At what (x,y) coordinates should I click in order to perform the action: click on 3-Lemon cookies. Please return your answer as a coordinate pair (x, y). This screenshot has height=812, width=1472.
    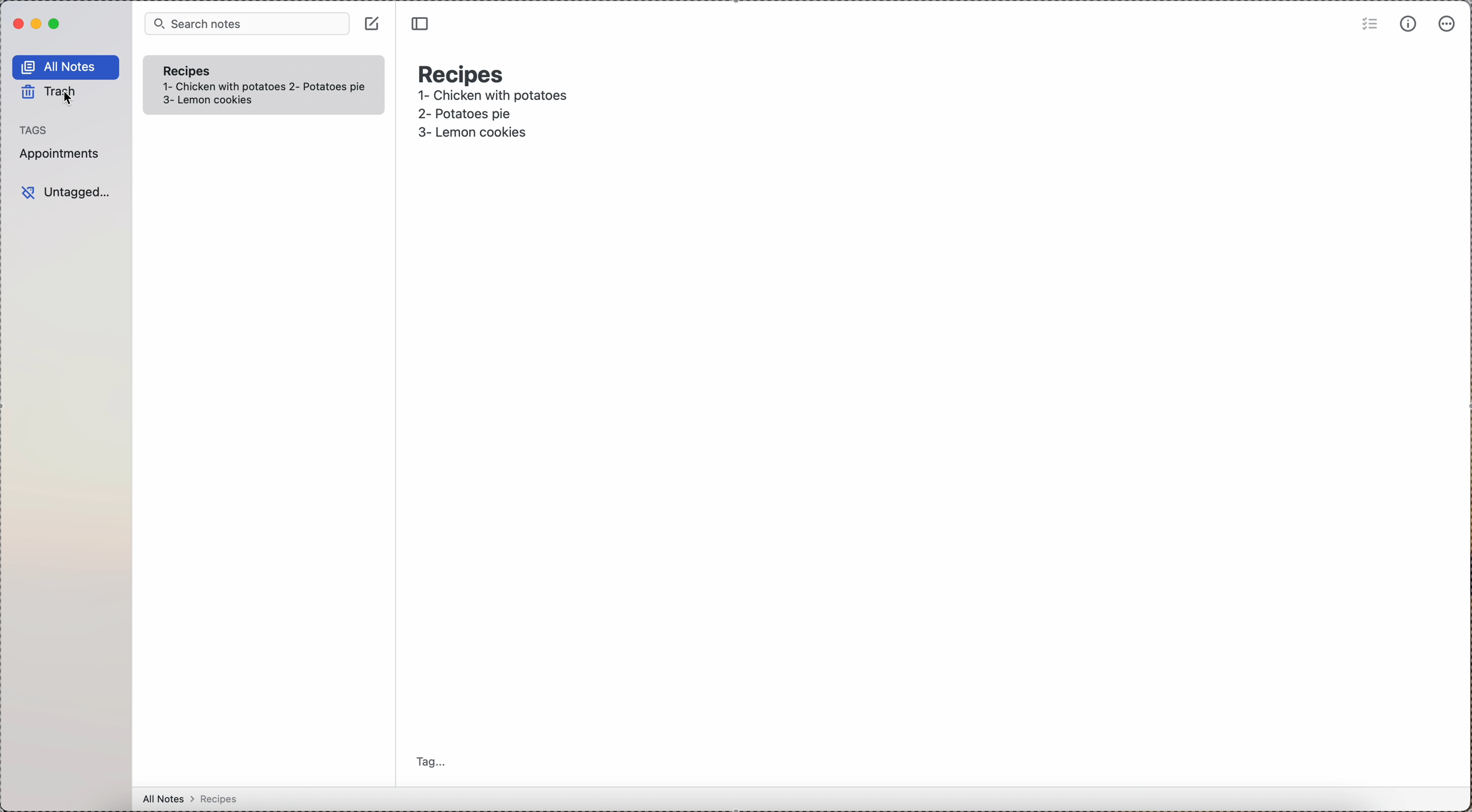
    Looking at the image, I should click on (488, 133).